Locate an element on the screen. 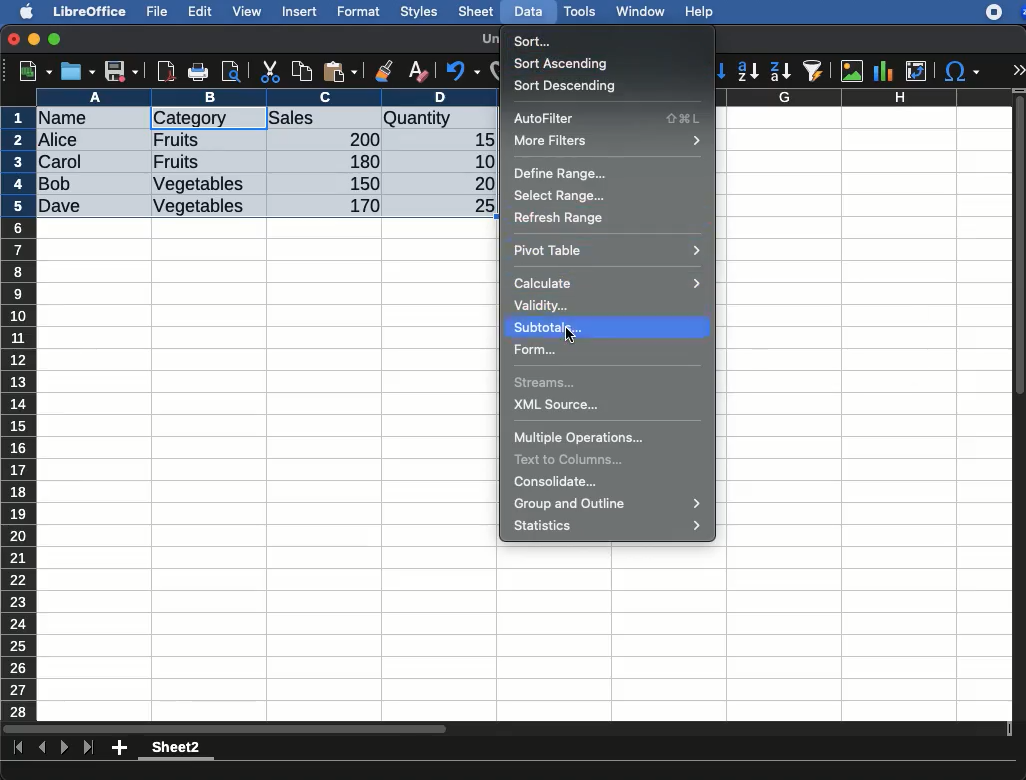 The height and width of the screenshot is (780, 1026). clear formatting is located at coordinates (417, 72).